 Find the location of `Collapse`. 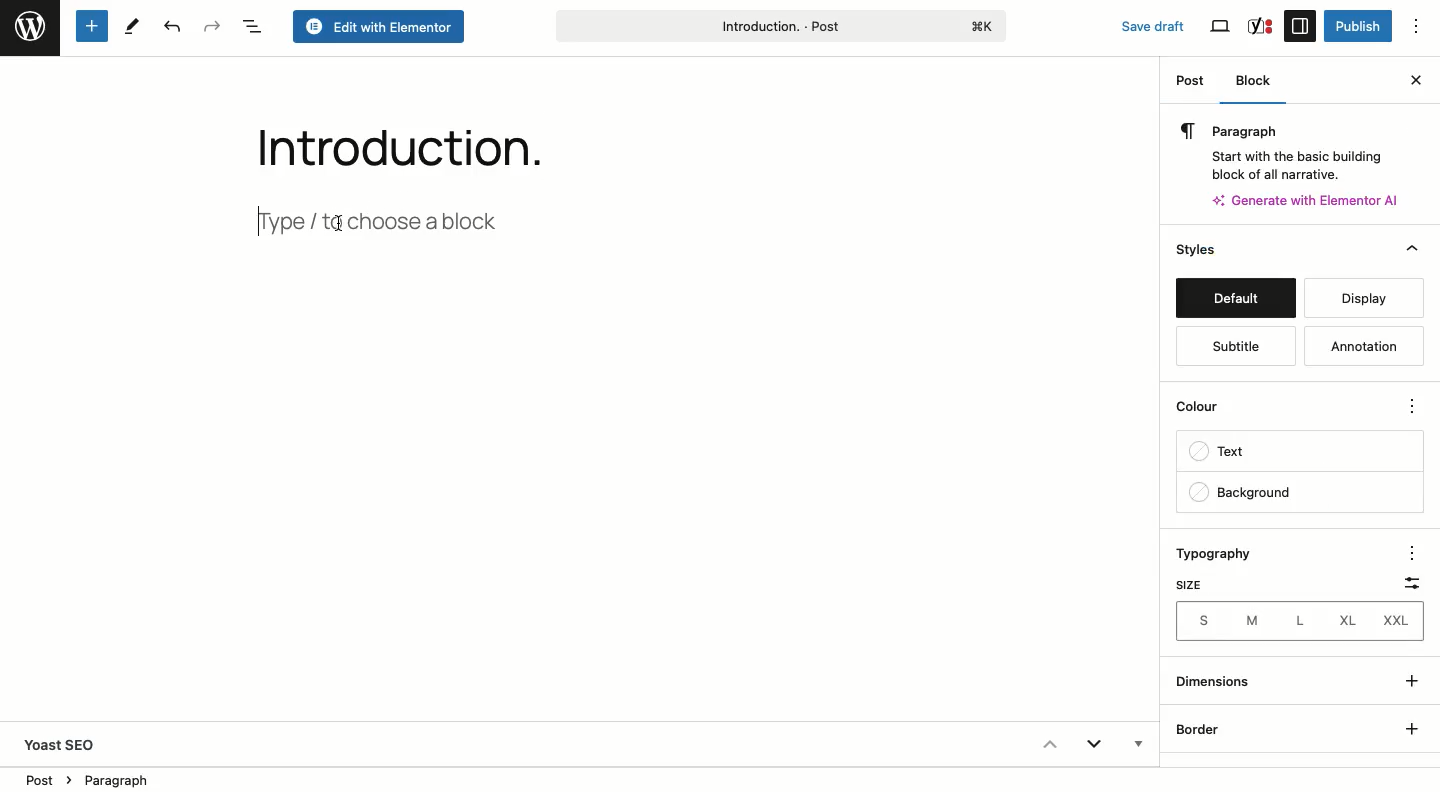

Collapse is located at coordinates (1412, 249).